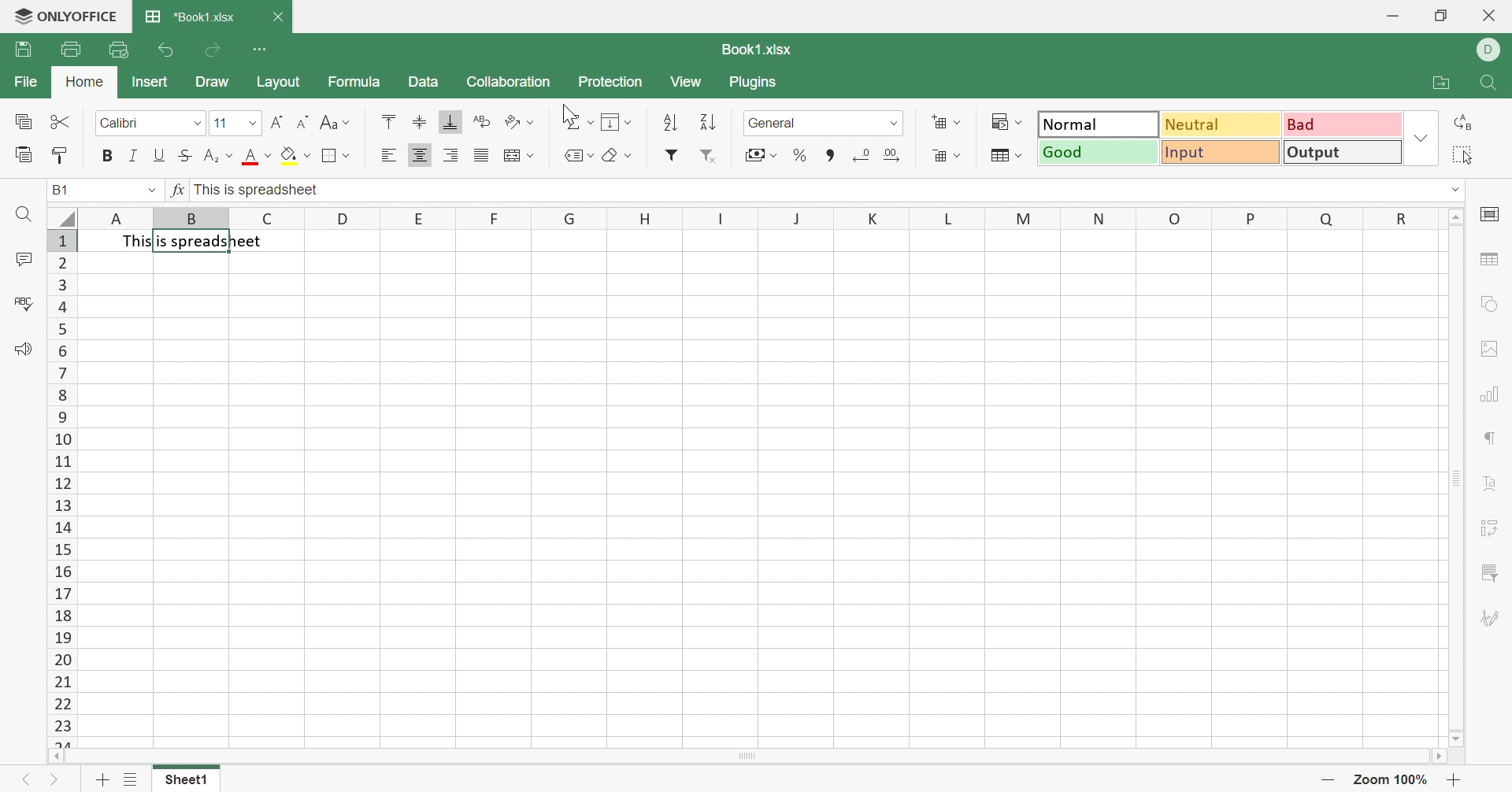 This screenshot has height=792, width=1512. What do you see at coordinates (24, 154) in the screenshot?
I see `Paste` at bounding box center [24, 154].